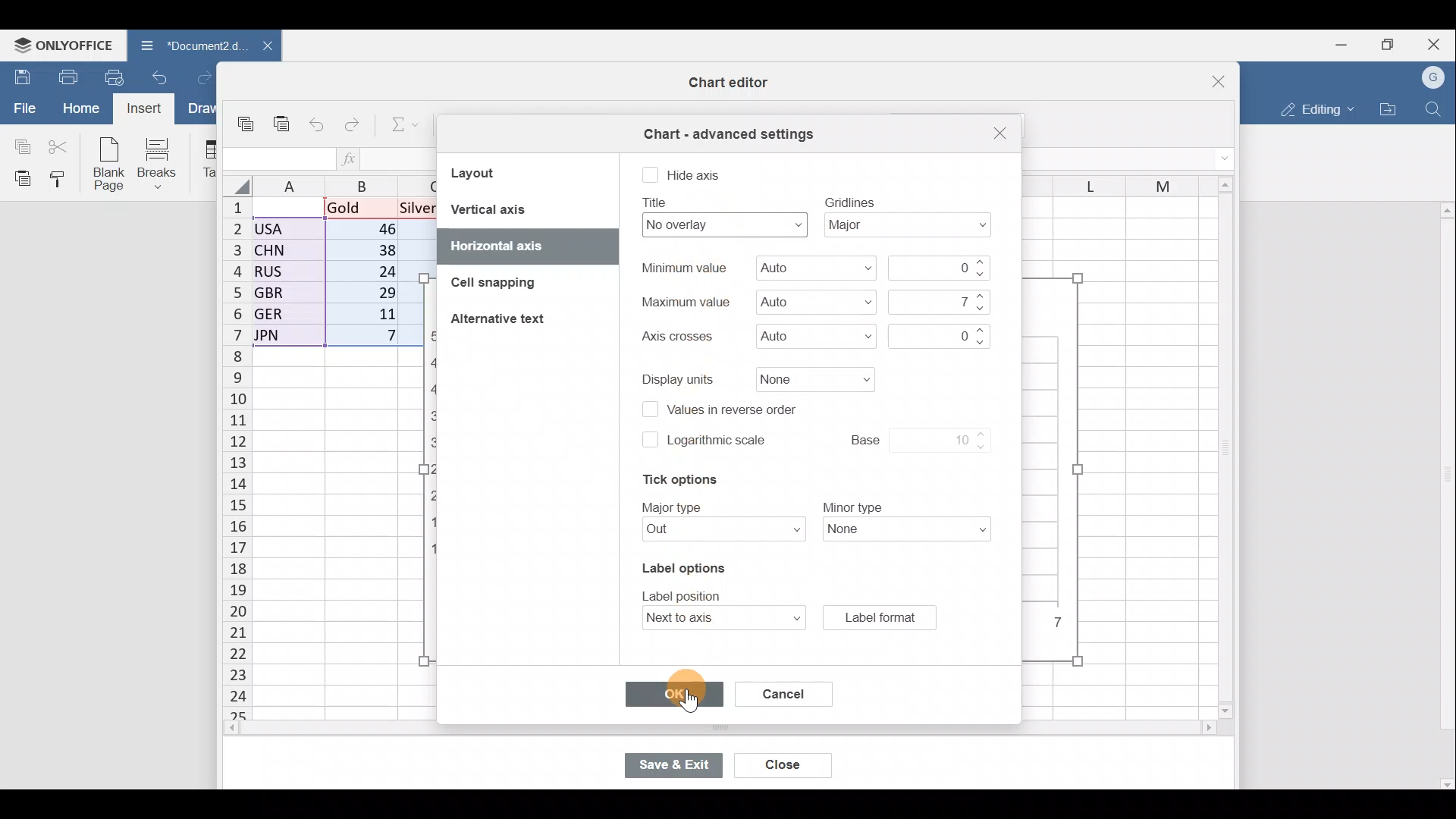 This screenshot has width=1456, height=819. What do you see at coordinates (936, 301) in the screenshot?
I see `Maximum value` at bounding box center [936, 301].